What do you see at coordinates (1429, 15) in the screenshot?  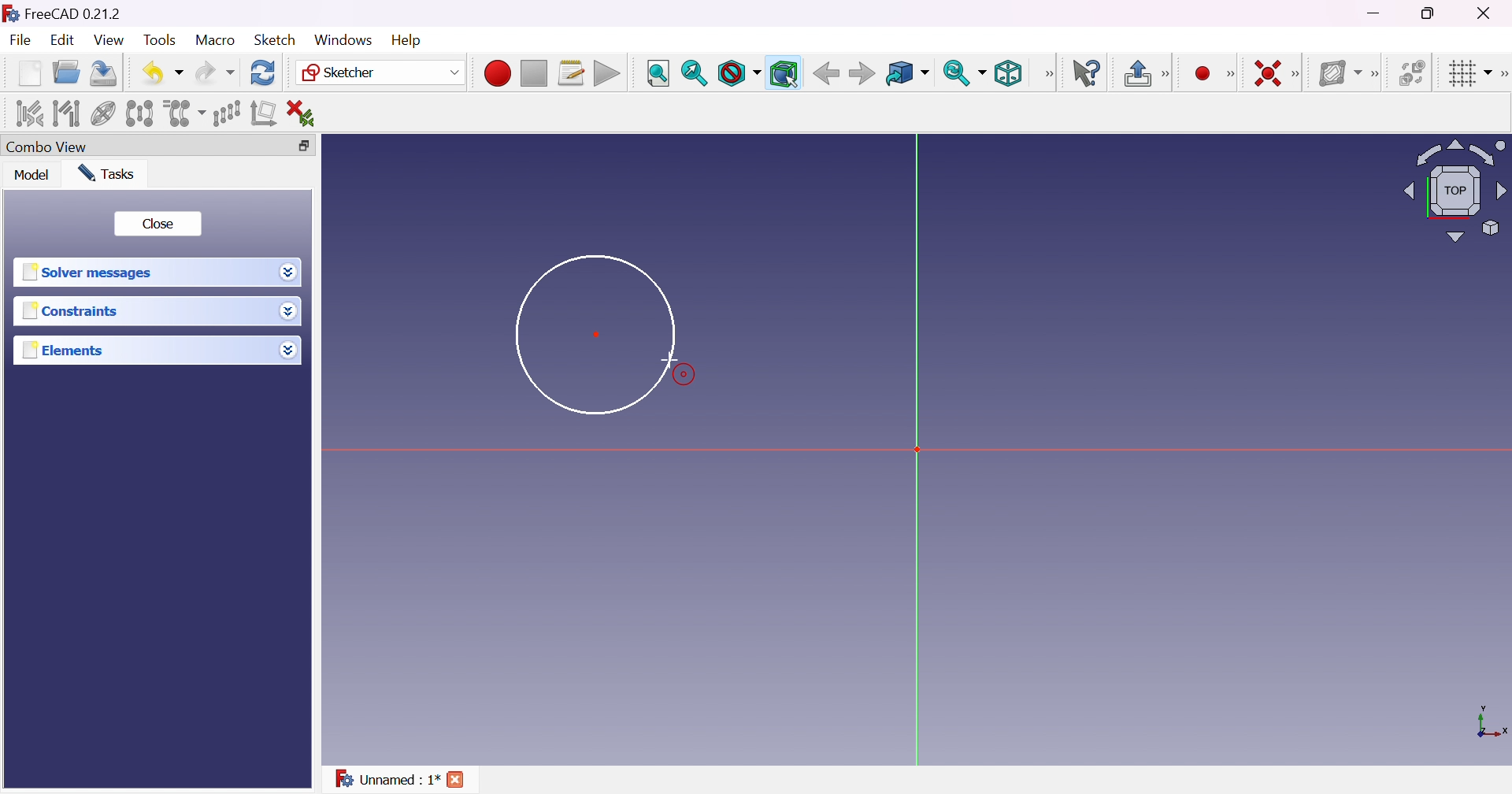 I see `Restore down` at bounding box center [1429, 15].